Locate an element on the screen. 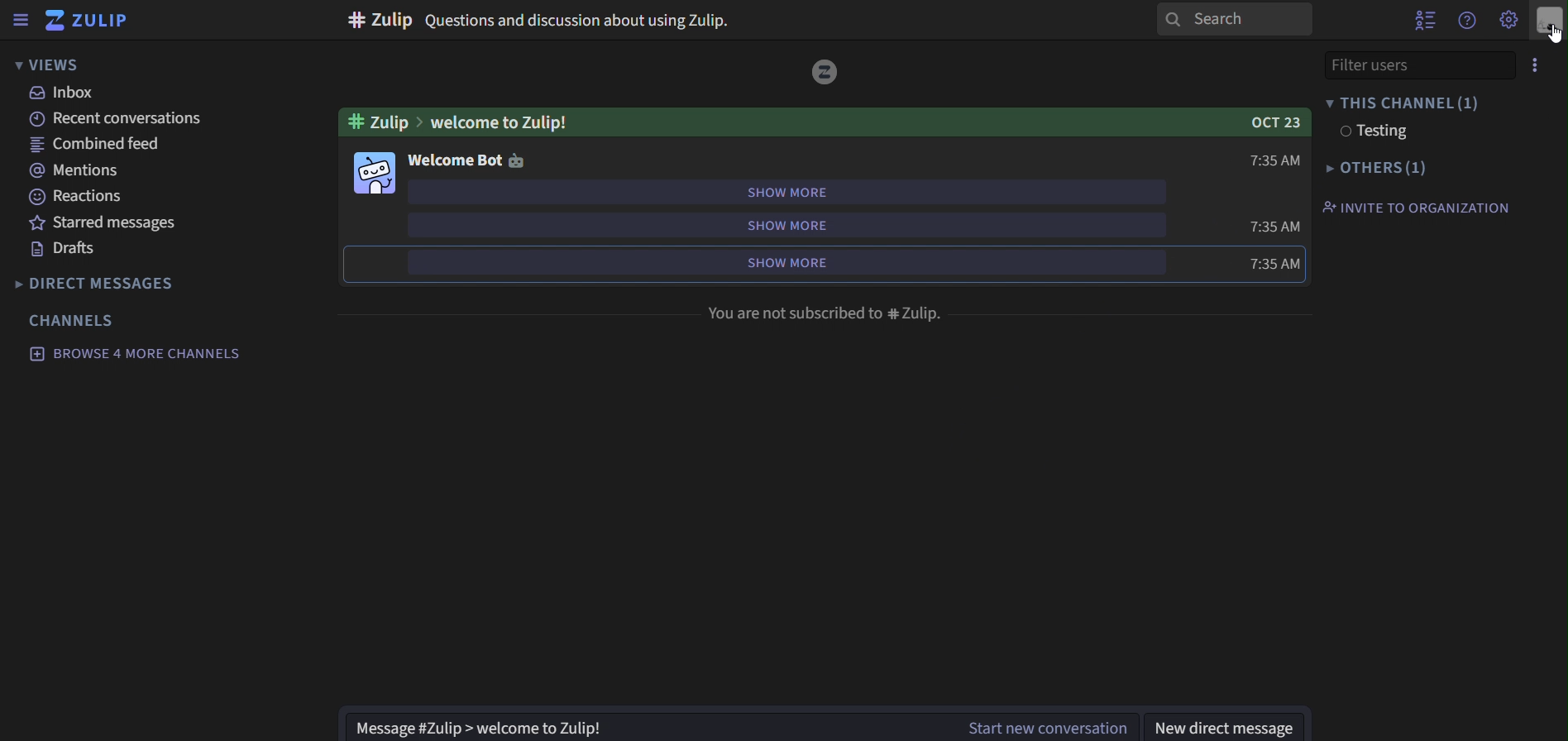 This screenshot has width=1568, height=741. views is located at coordinates (52, 65).